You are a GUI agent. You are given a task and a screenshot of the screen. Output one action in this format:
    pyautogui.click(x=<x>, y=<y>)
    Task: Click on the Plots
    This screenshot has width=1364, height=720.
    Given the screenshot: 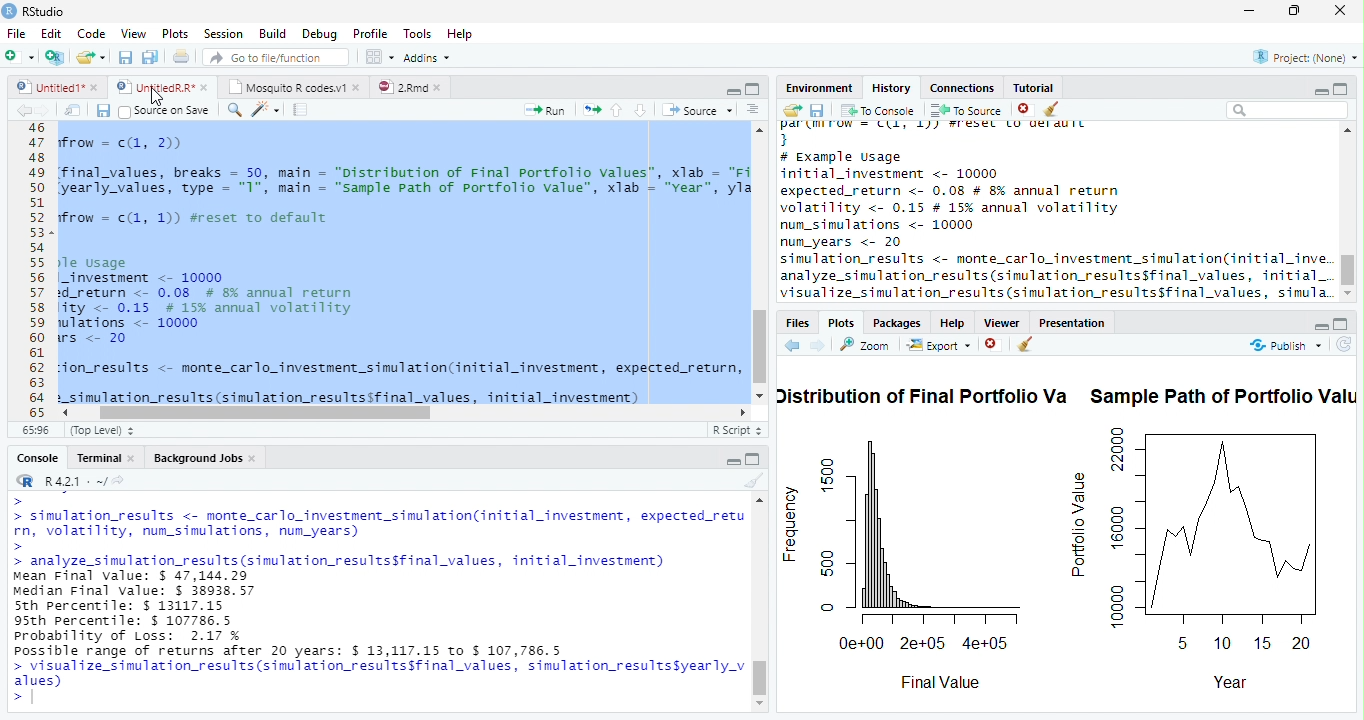 What is the action you would take?
    pyautogui.click(x=841, y=322)
    